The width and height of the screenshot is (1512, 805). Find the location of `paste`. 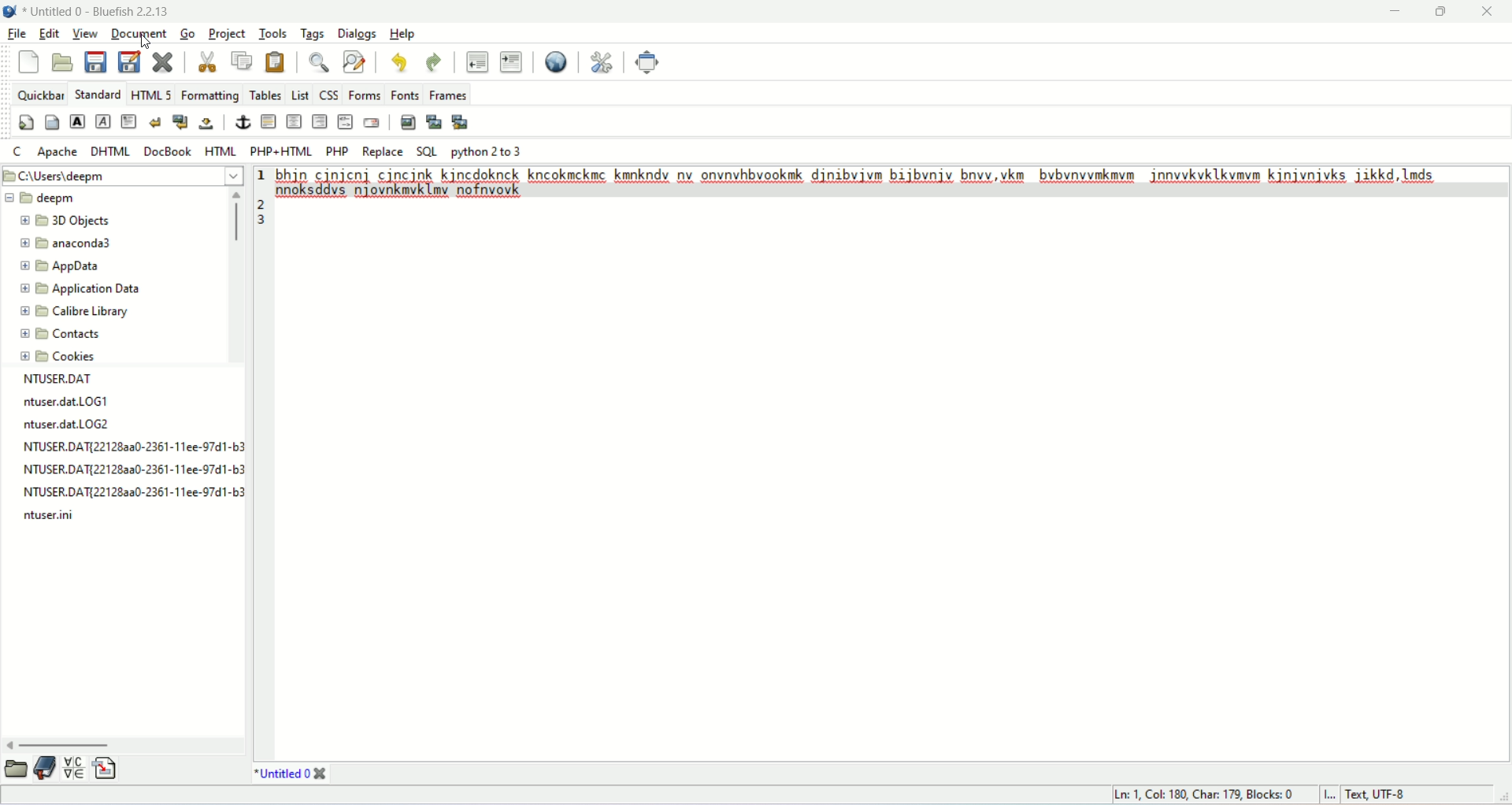

paste is located at coordinates (276, 65).